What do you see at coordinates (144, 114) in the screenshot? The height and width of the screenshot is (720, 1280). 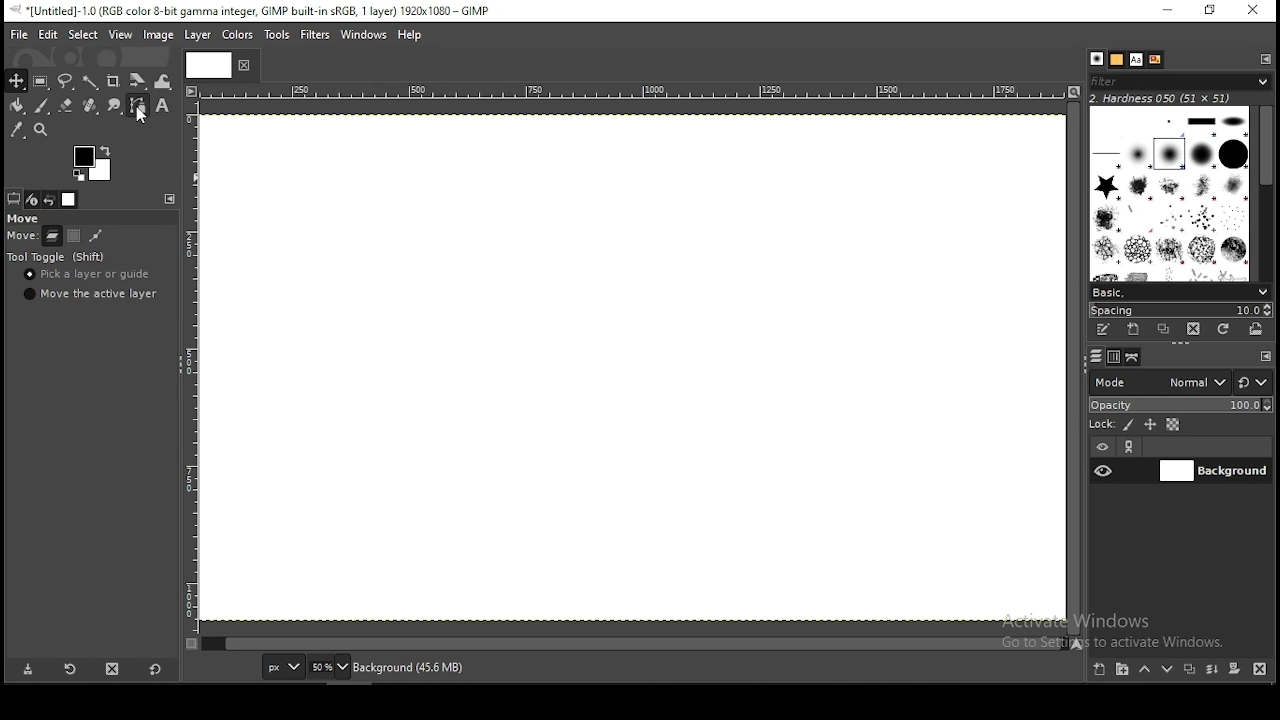 I see `mouse pointer` at bounding box center [144, 114].